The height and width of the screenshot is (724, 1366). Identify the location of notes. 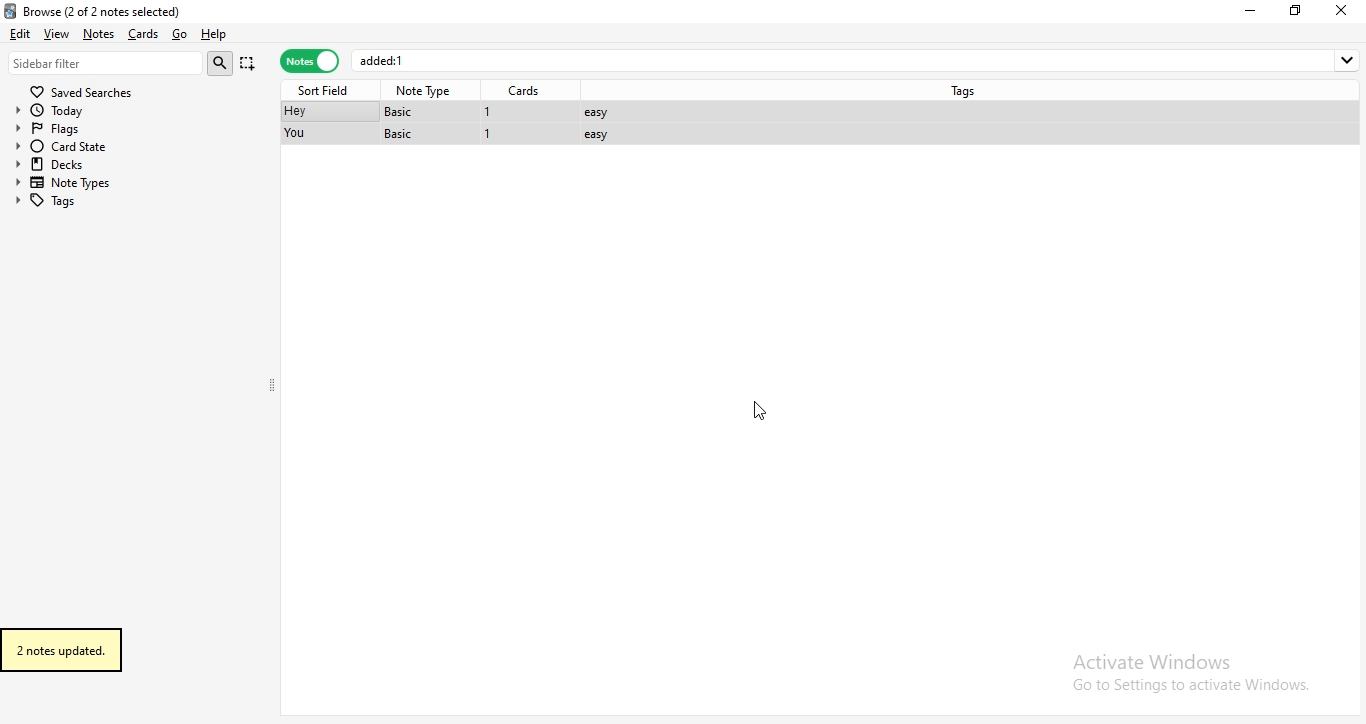
(309, 62).